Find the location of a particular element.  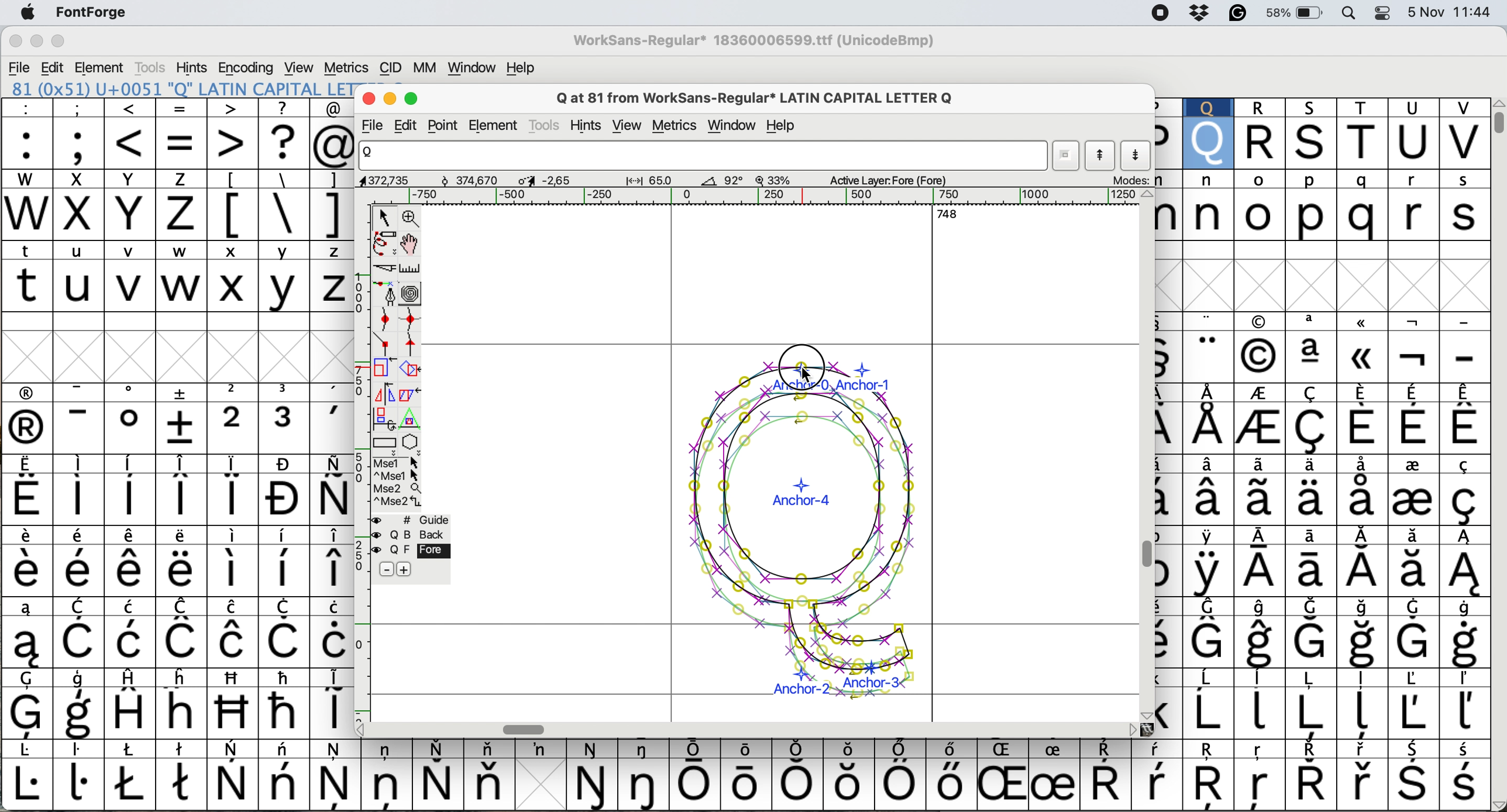

fontforge is located at coordinates (87, 12).